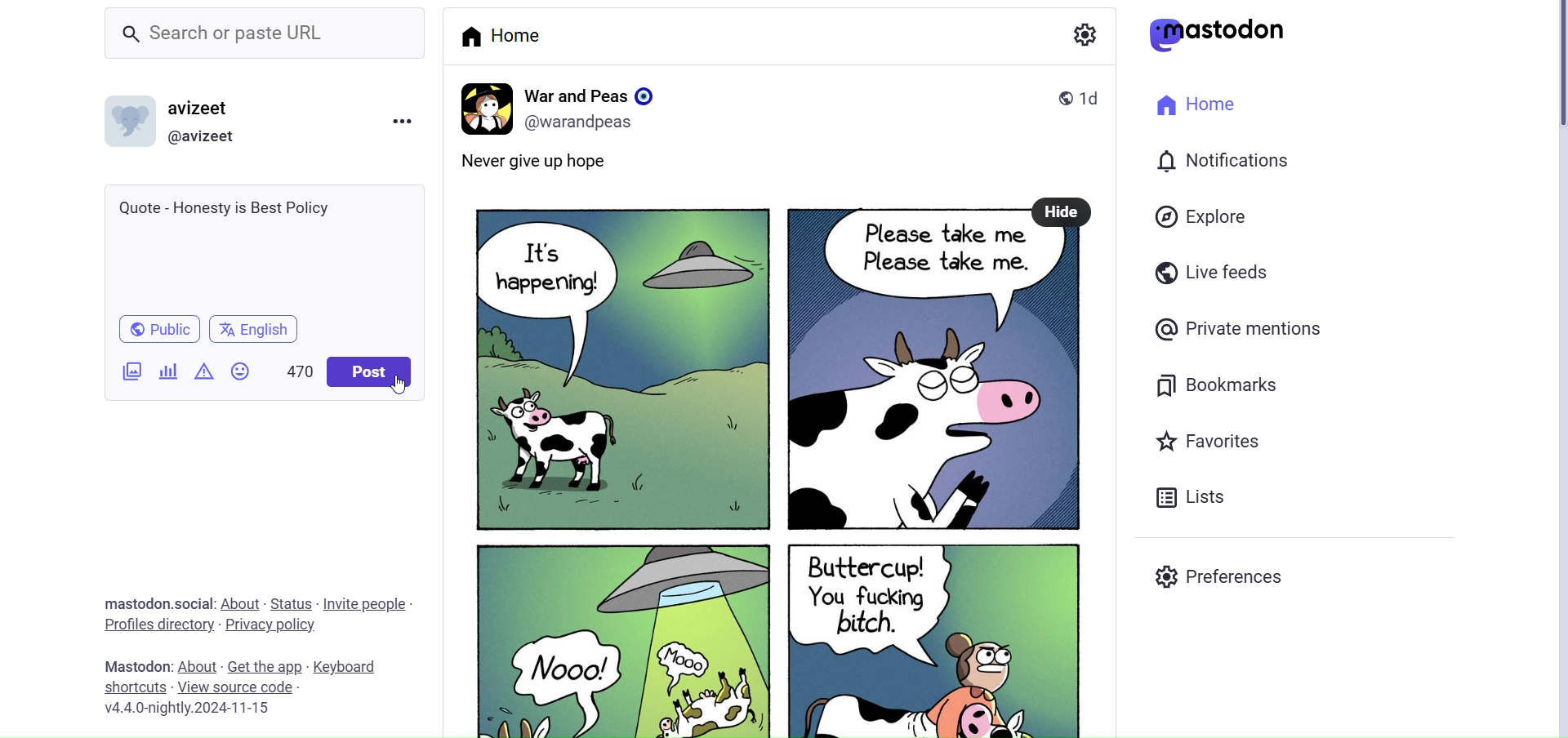 The image size is (1568, 738). What do you see at coordinates (1215, 383) in the screenshot?
I see `Bookmarks` at bounding box center [1215, 383].